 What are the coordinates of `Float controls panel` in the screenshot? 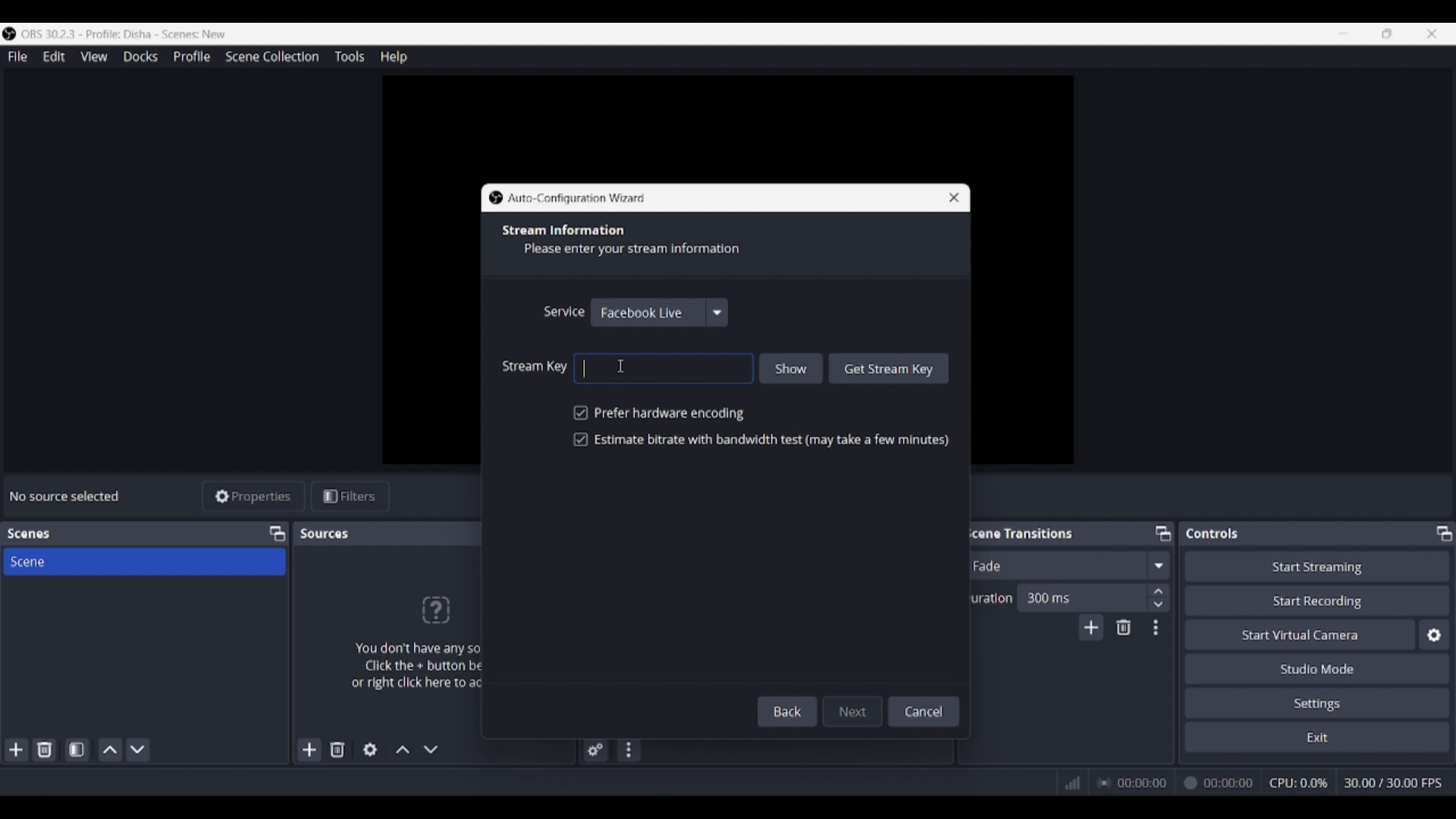 It's located at (1444, 533).